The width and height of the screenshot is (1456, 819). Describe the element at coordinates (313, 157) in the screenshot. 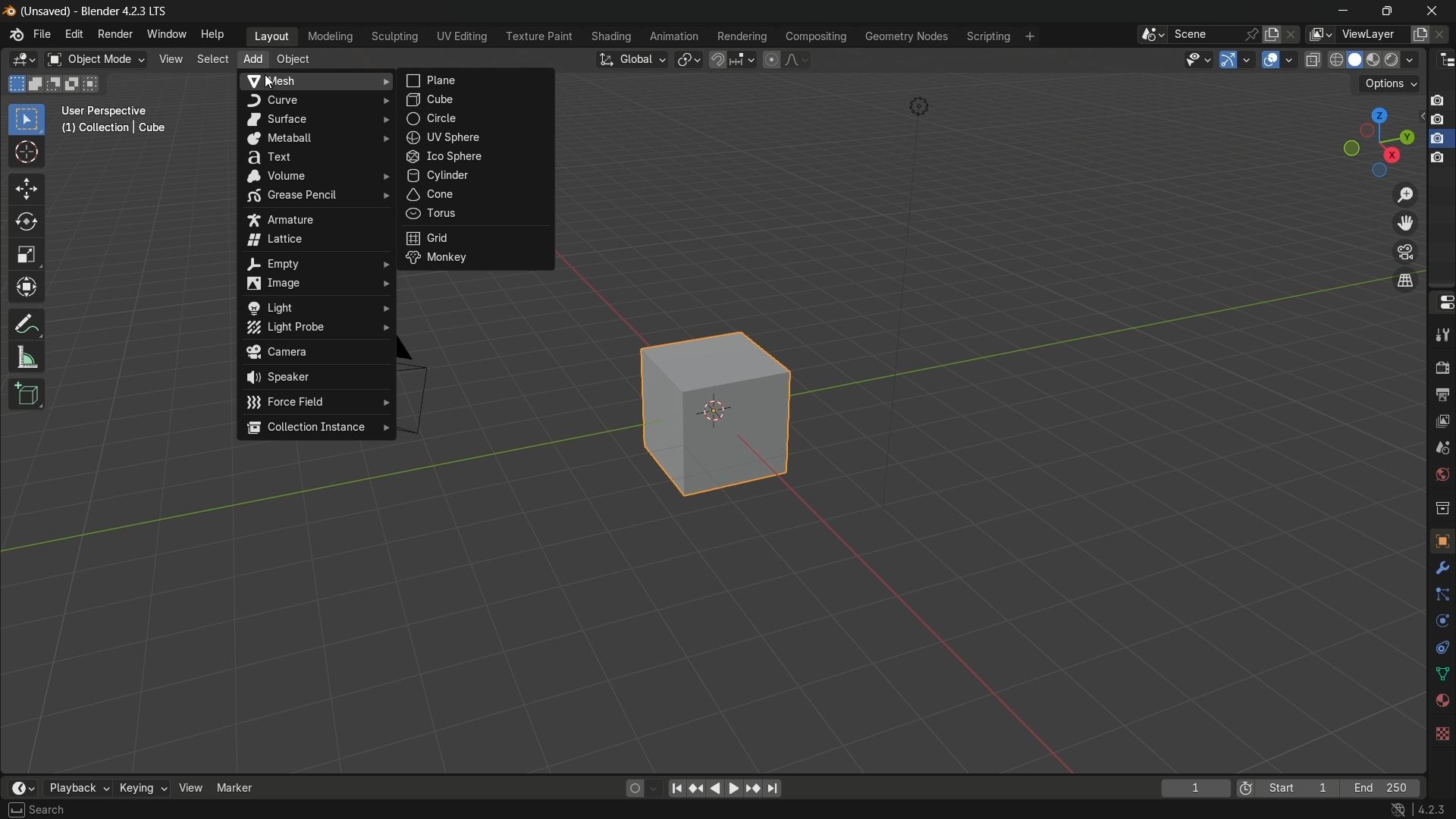

I see `text` at that location.